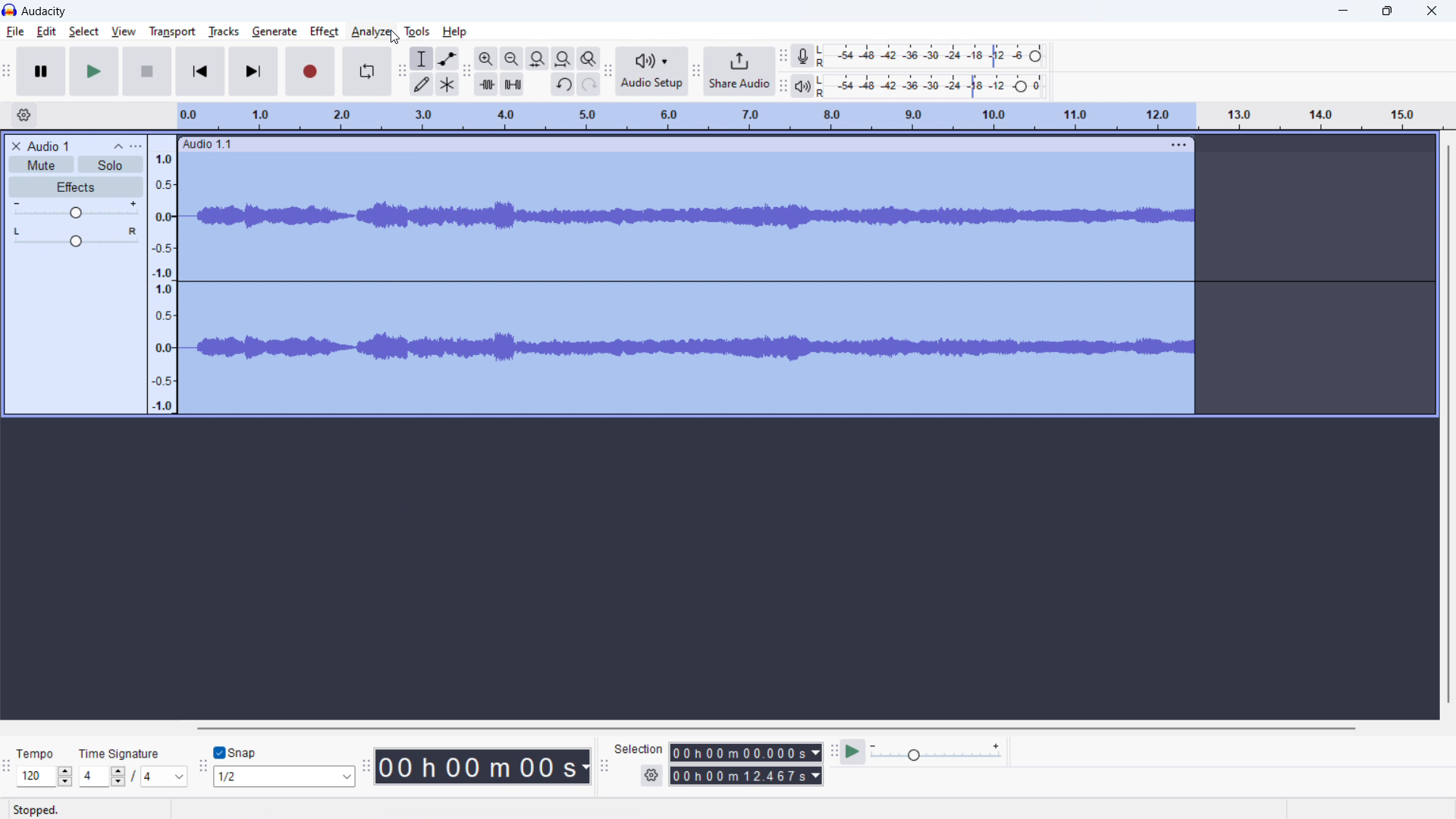 The height and width of the screenshot is (819, 1456). Describe the element at coordinates (486, 83) in the screenshot. I see `trim audio outside selection` at that location.